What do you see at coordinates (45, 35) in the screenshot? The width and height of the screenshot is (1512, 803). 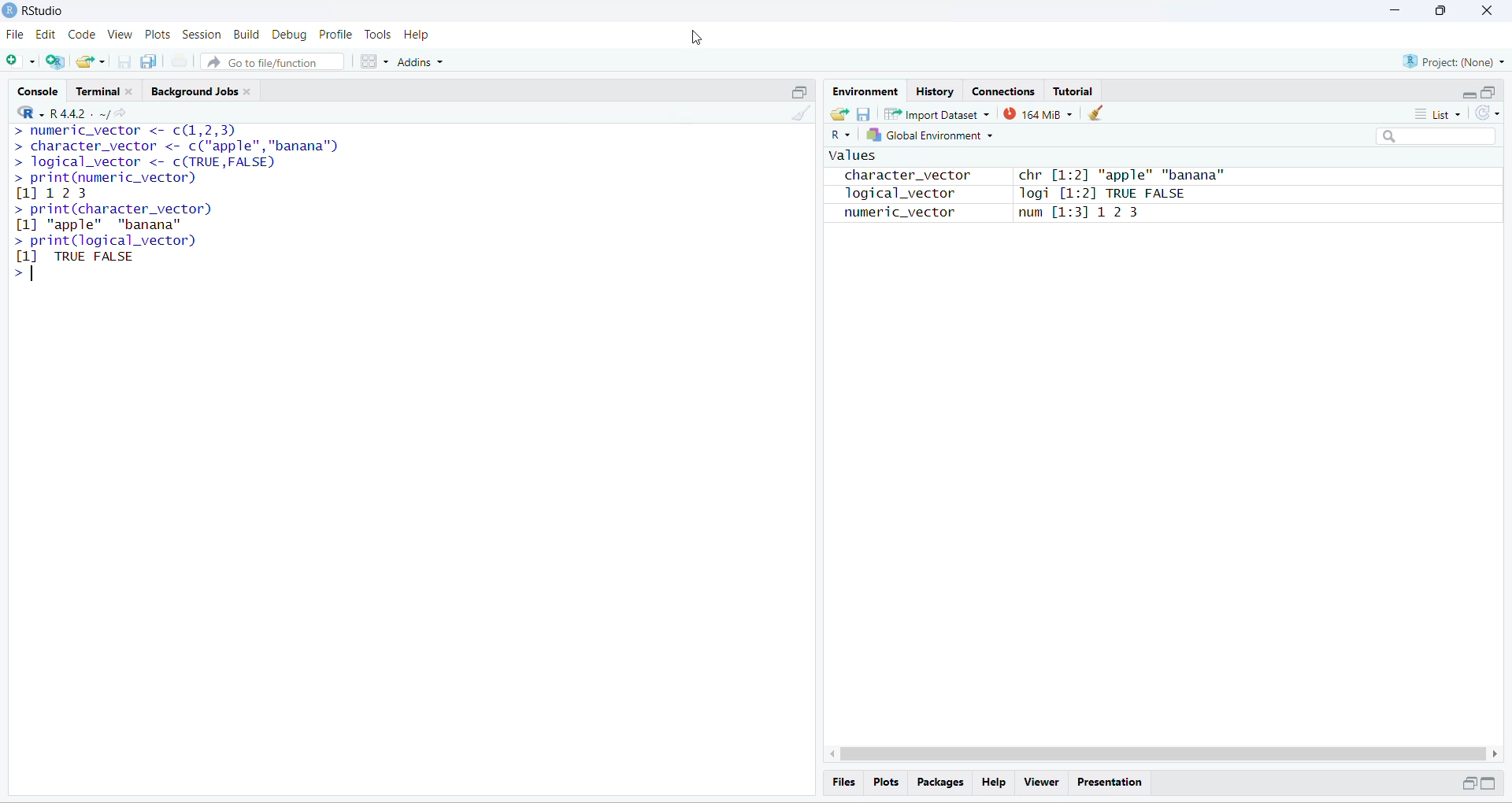 I see `edit` at bounding box center [45, 35].